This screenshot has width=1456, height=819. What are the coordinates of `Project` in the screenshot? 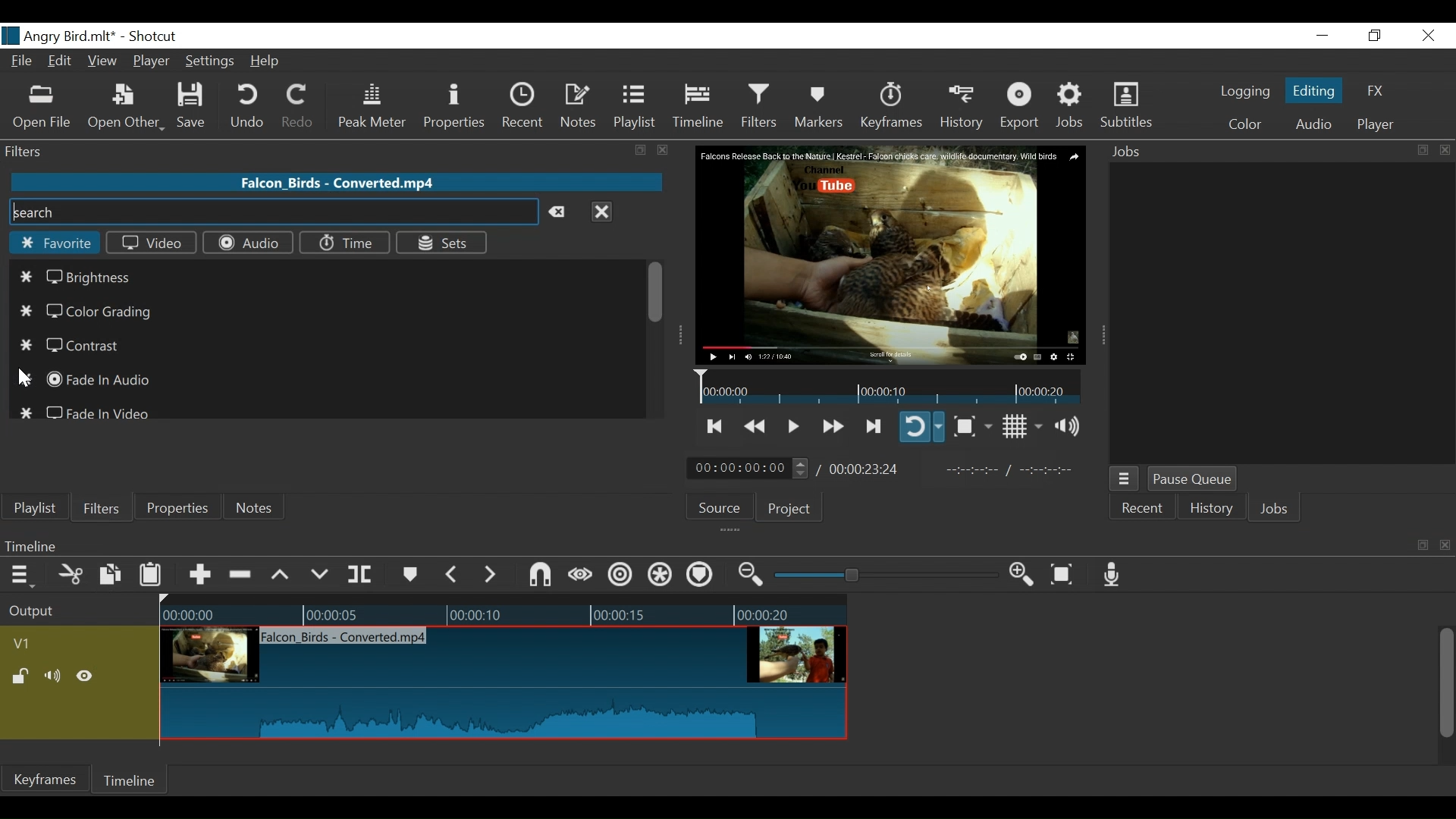 It's located at (789, 508).